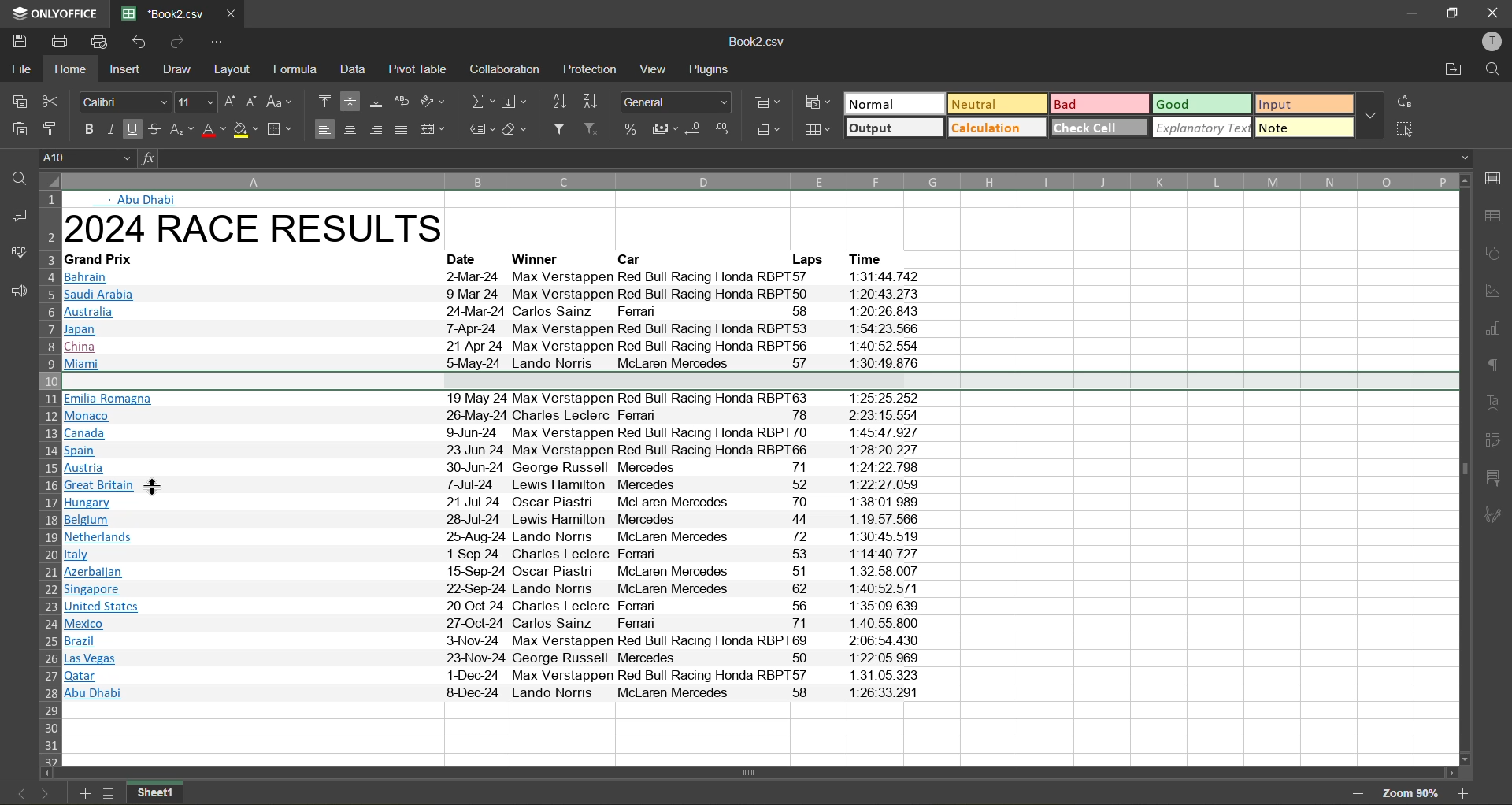 This screenshot has width=1512, height=805. Describe the element at coordinates (1499, 477) in the screenshot. I see `slicer` at that location.